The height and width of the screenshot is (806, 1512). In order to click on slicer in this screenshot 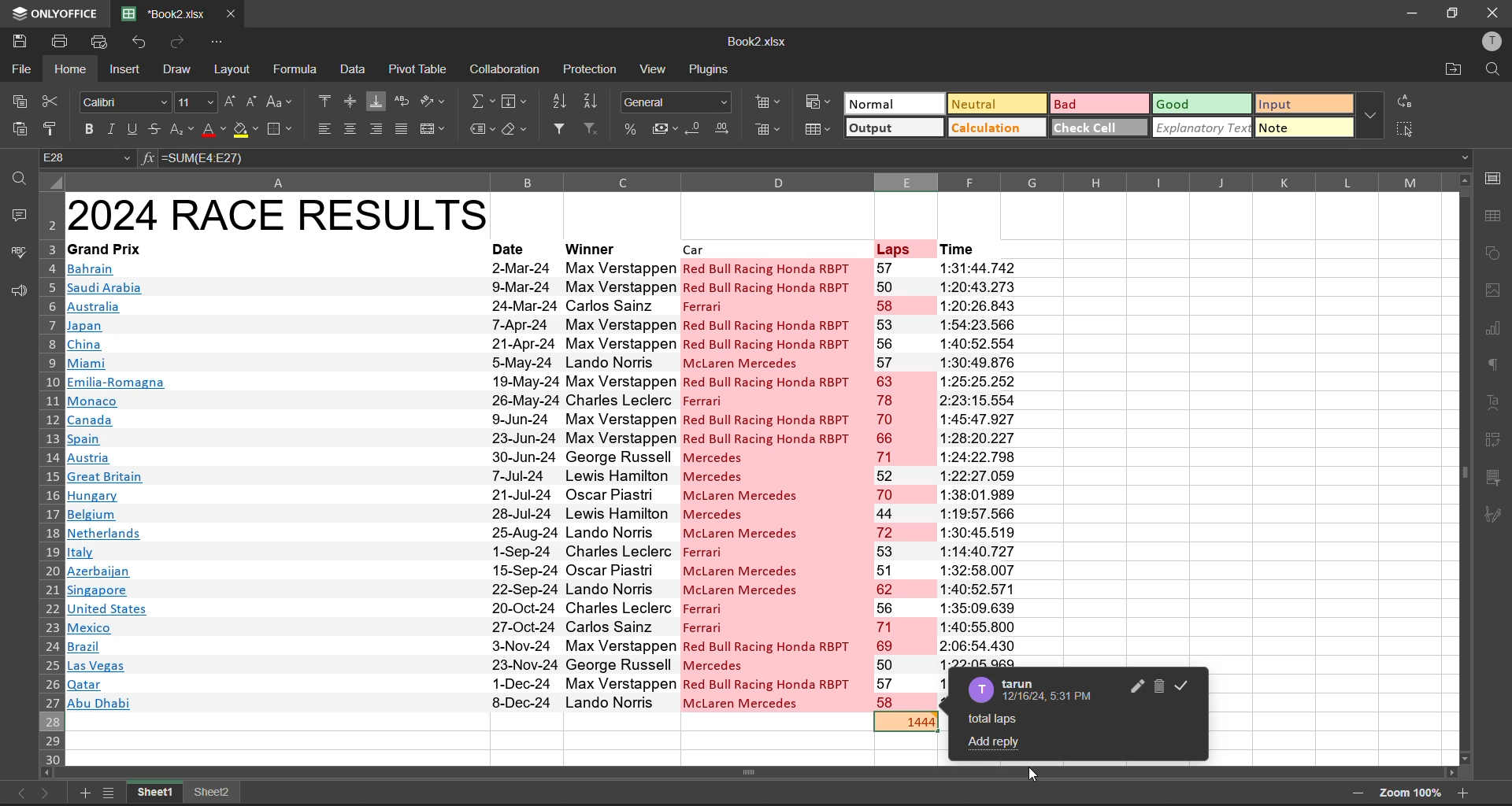, I will do `click(1493, 481)`.